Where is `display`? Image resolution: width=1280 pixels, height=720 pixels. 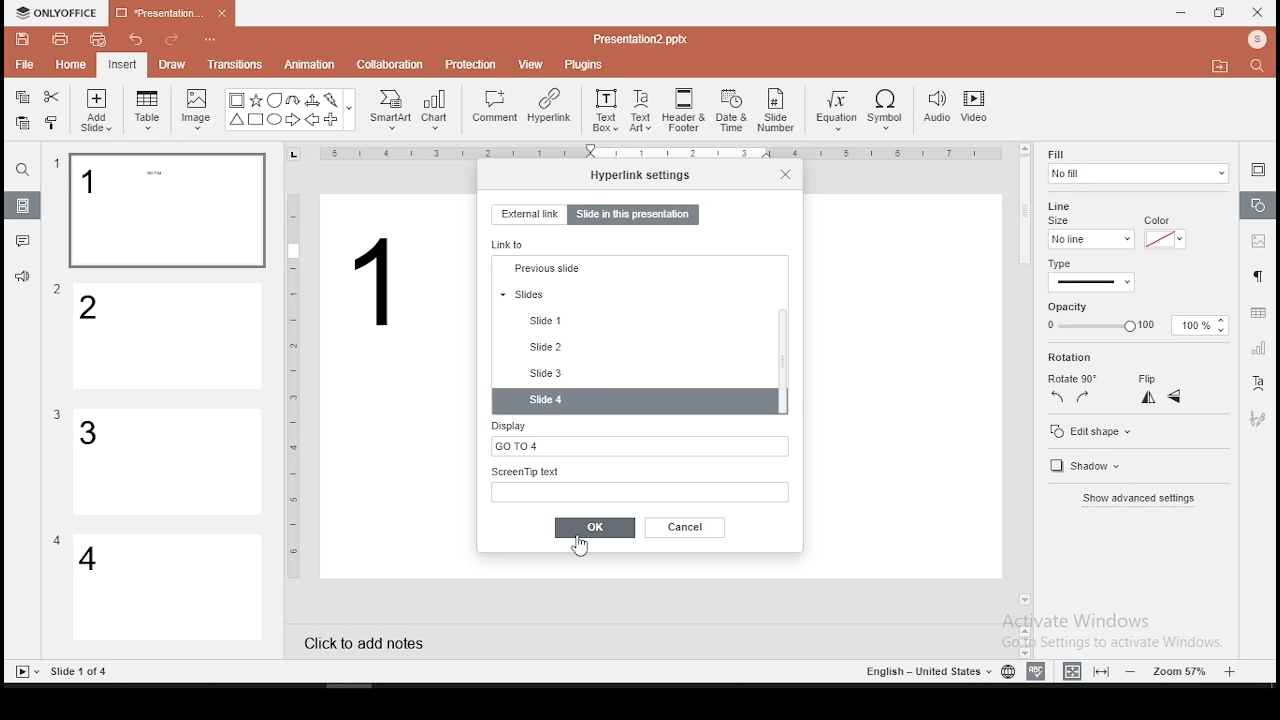
display is located at coordinates (637, 437).